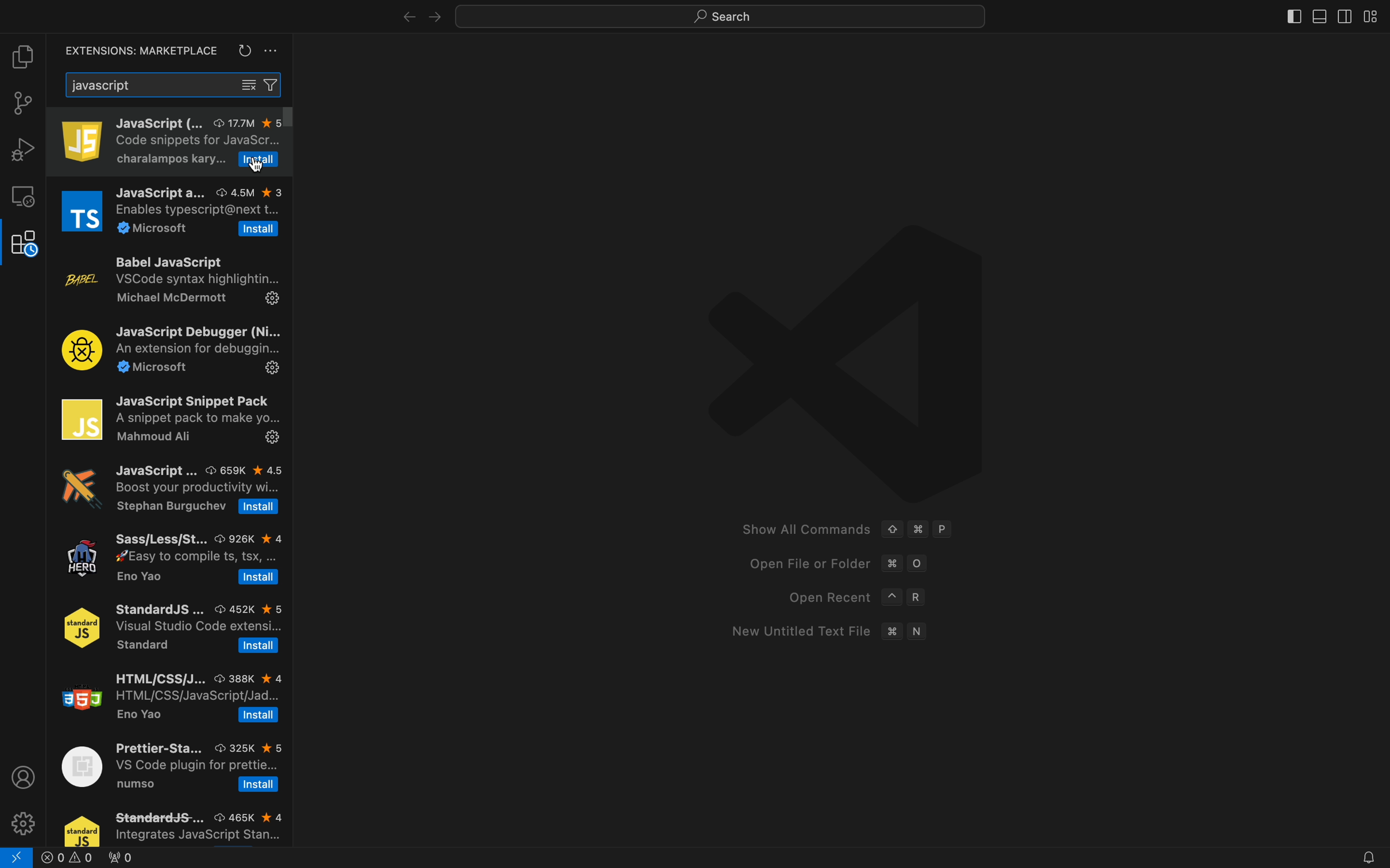 Image resolution: width=1390 pixels, height=868 pixels. What do you see at coordinates (23, 149) in the screenshot?
I see `debugger` at bounding box center [23, 149].